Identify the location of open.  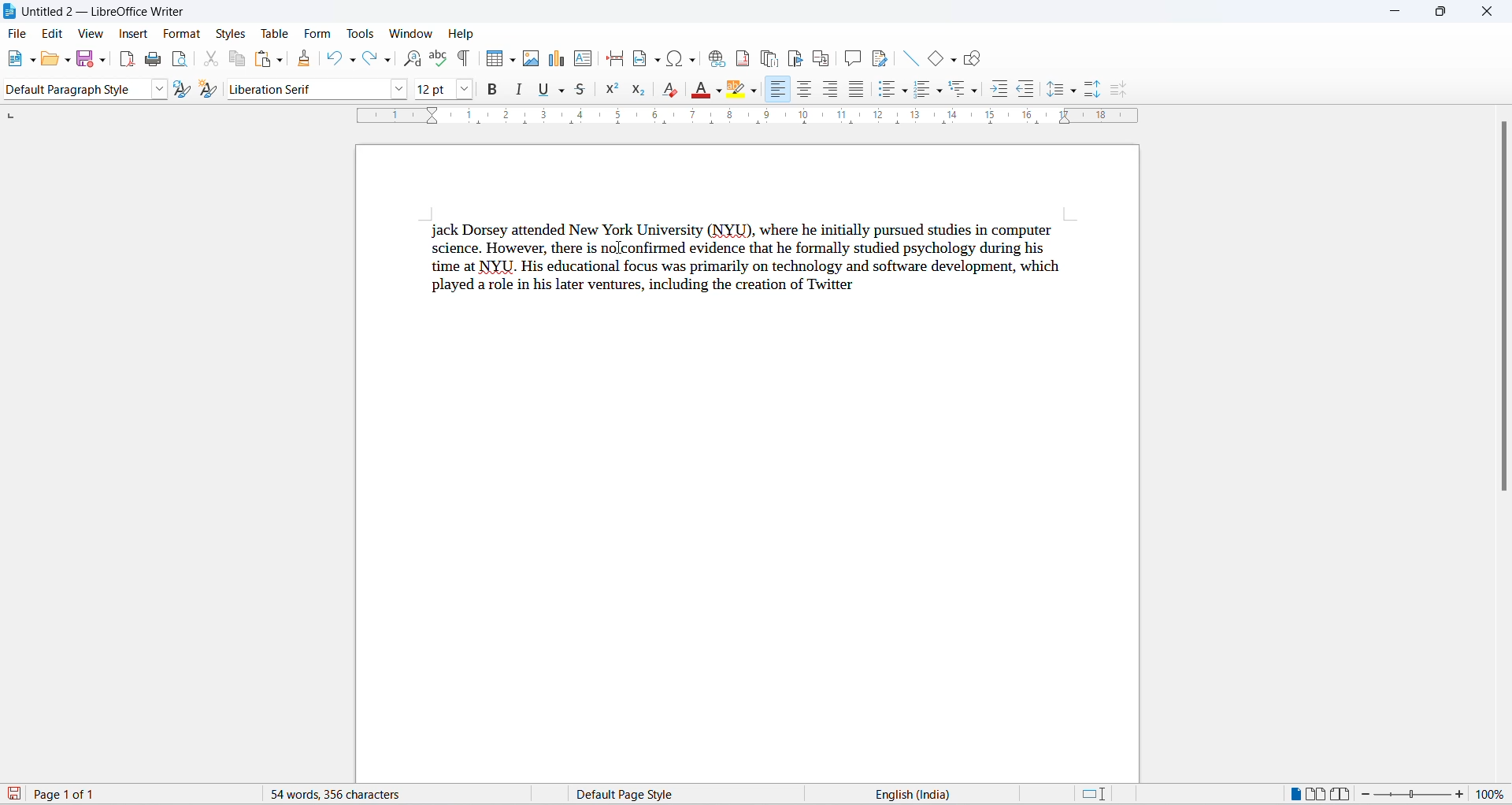
(54, 60).